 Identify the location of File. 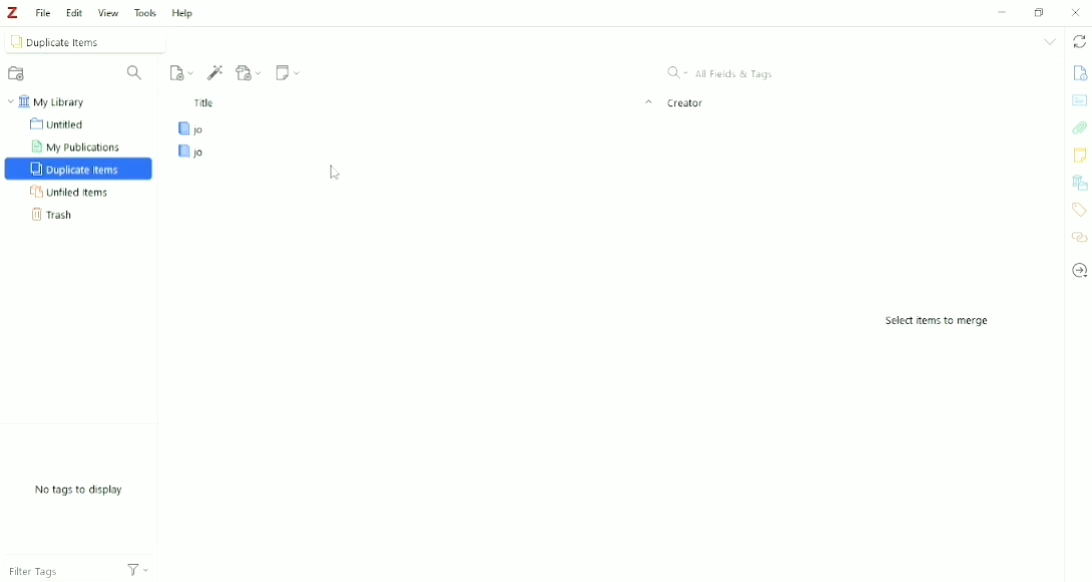
(44, 12).